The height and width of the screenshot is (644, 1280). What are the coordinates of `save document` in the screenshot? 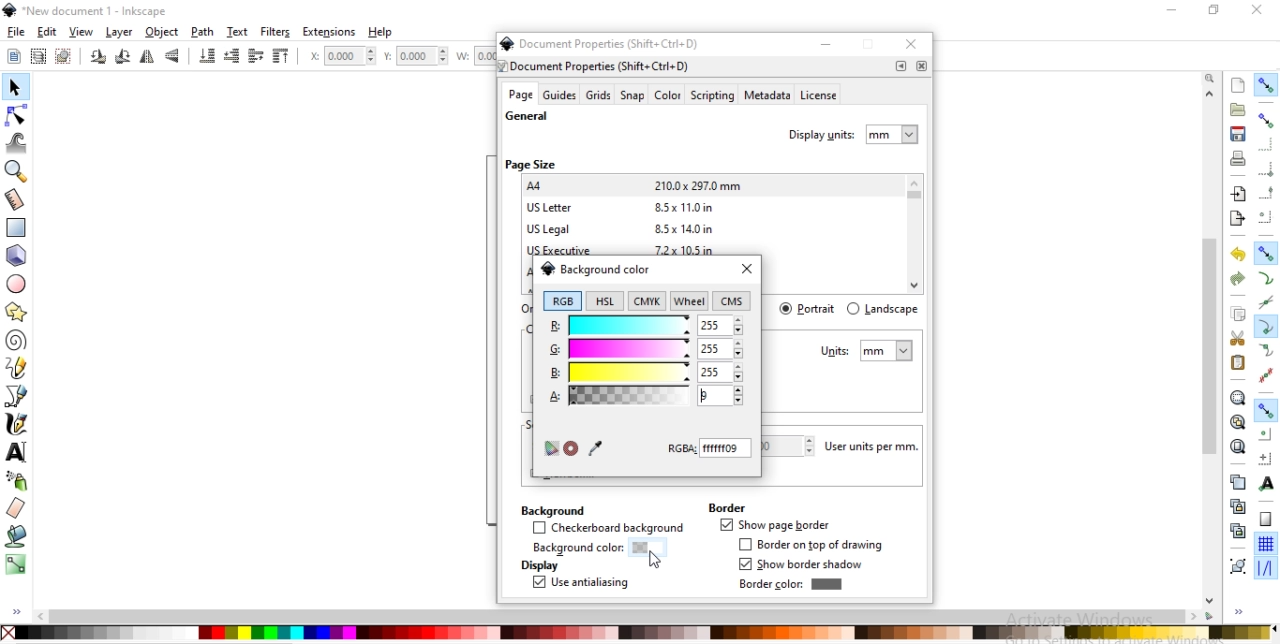 It's located at (1238, 134).